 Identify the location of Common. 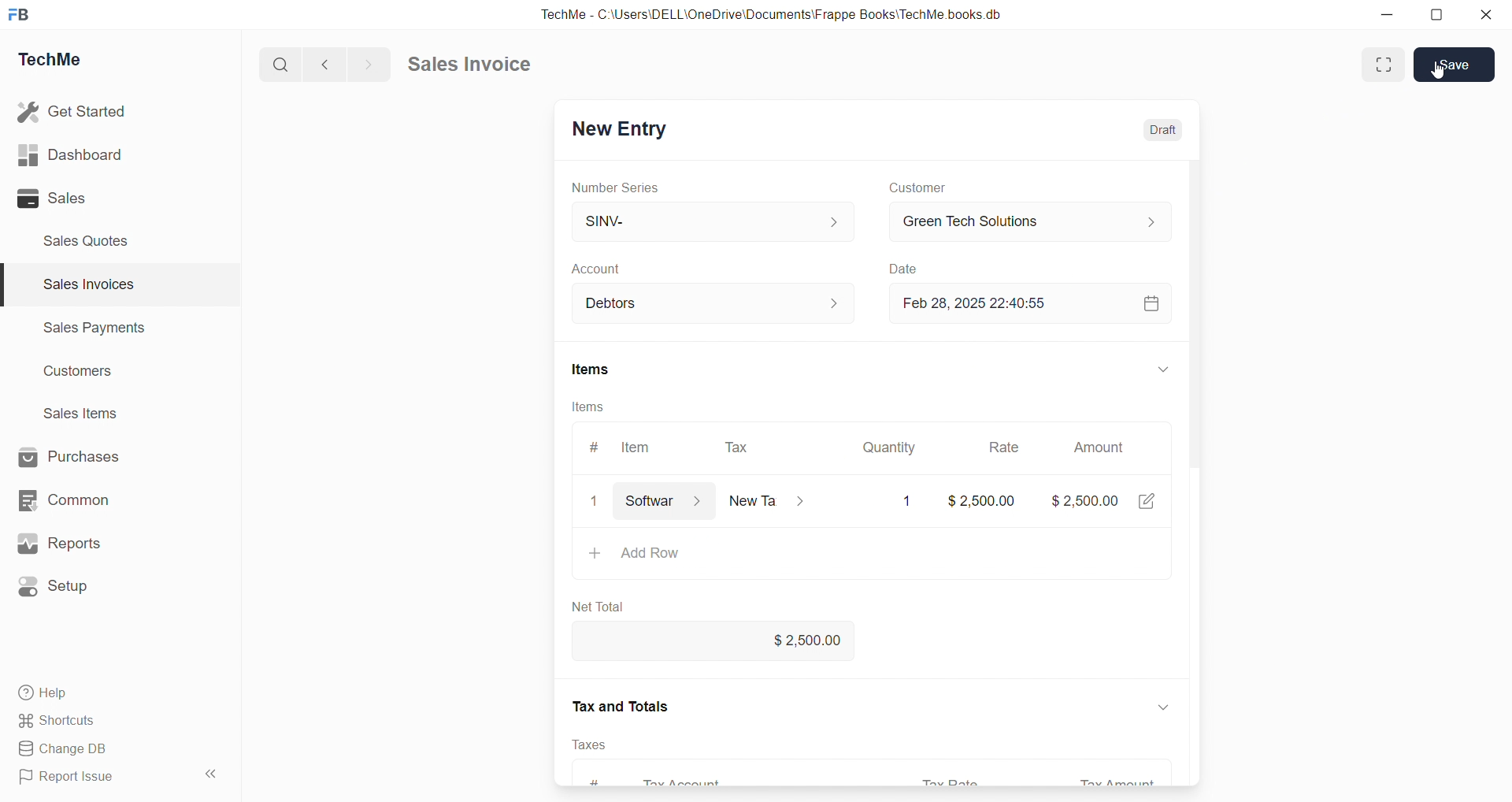
(64, 500).